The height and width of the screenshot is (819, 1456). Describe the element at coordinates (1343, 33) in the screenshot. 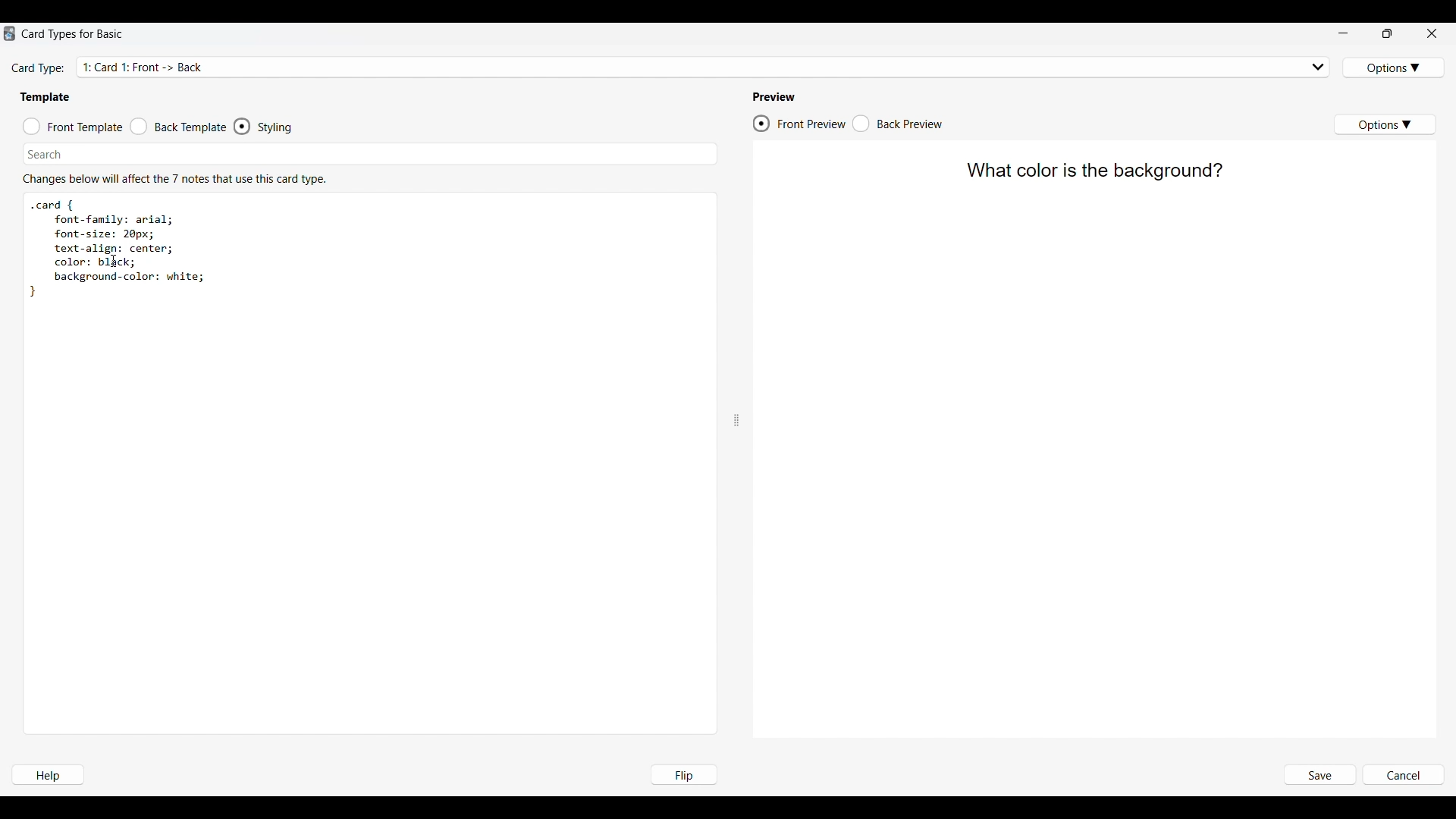

I see `Minimize` at that location.